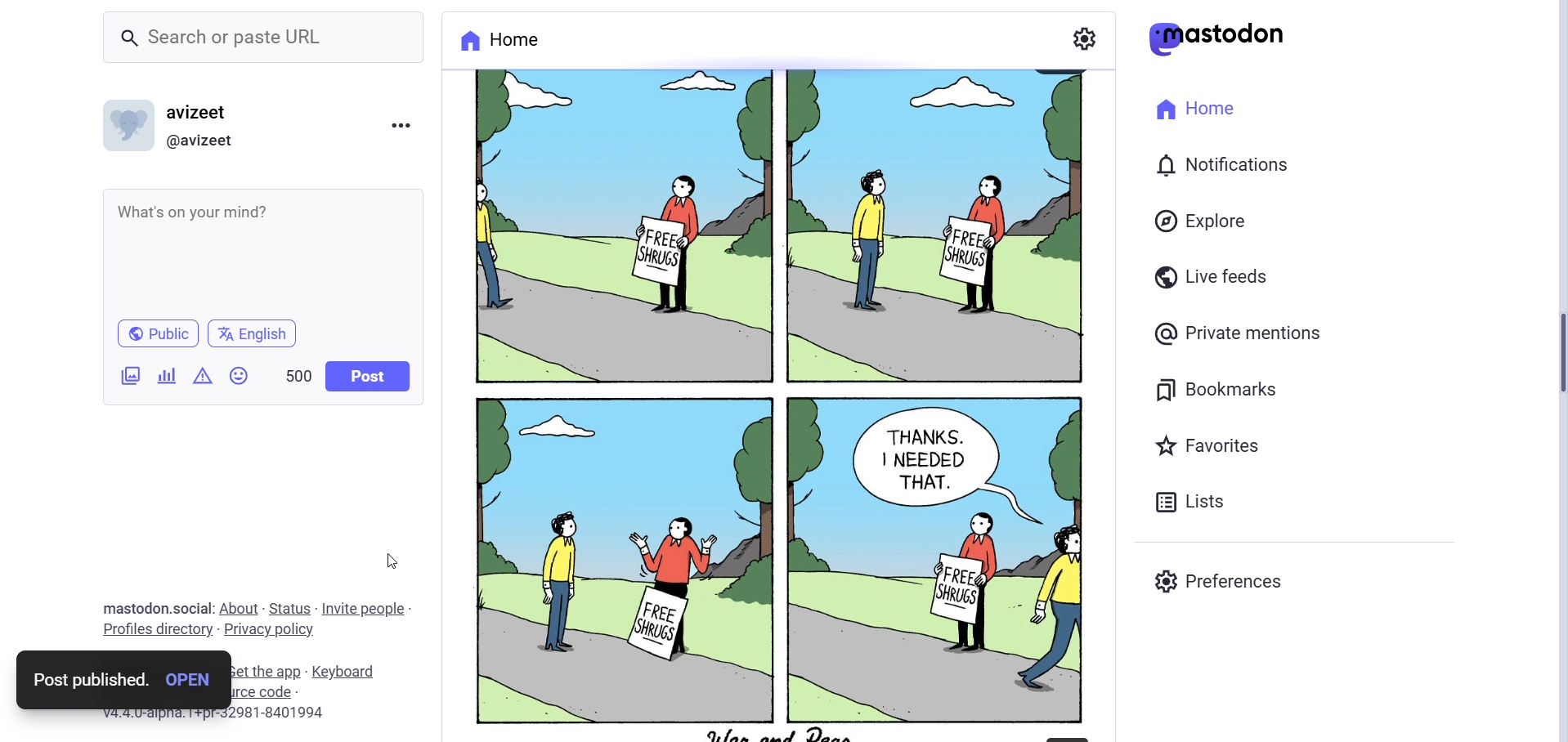 This screenshot has width=1568, height=742. I want to click on Logo, so click(1218, 39).